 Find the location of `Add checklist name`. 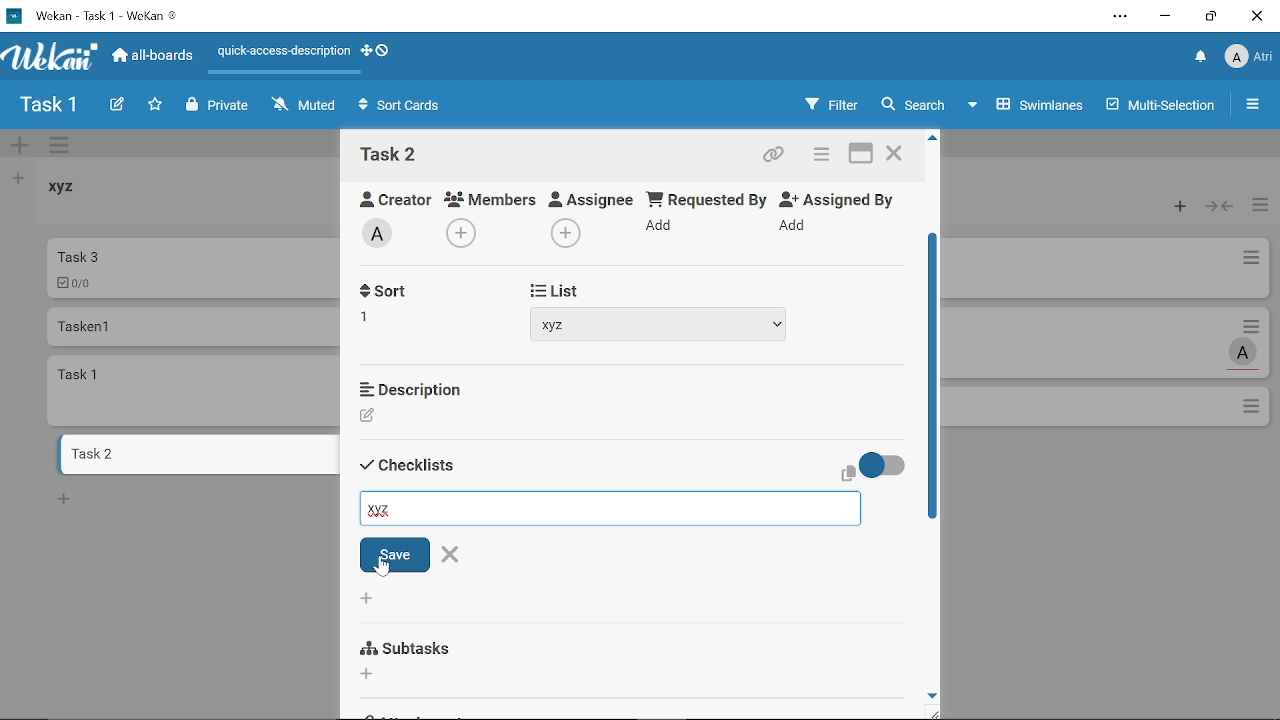

Add checklist name is located at coordinates (608, 508).